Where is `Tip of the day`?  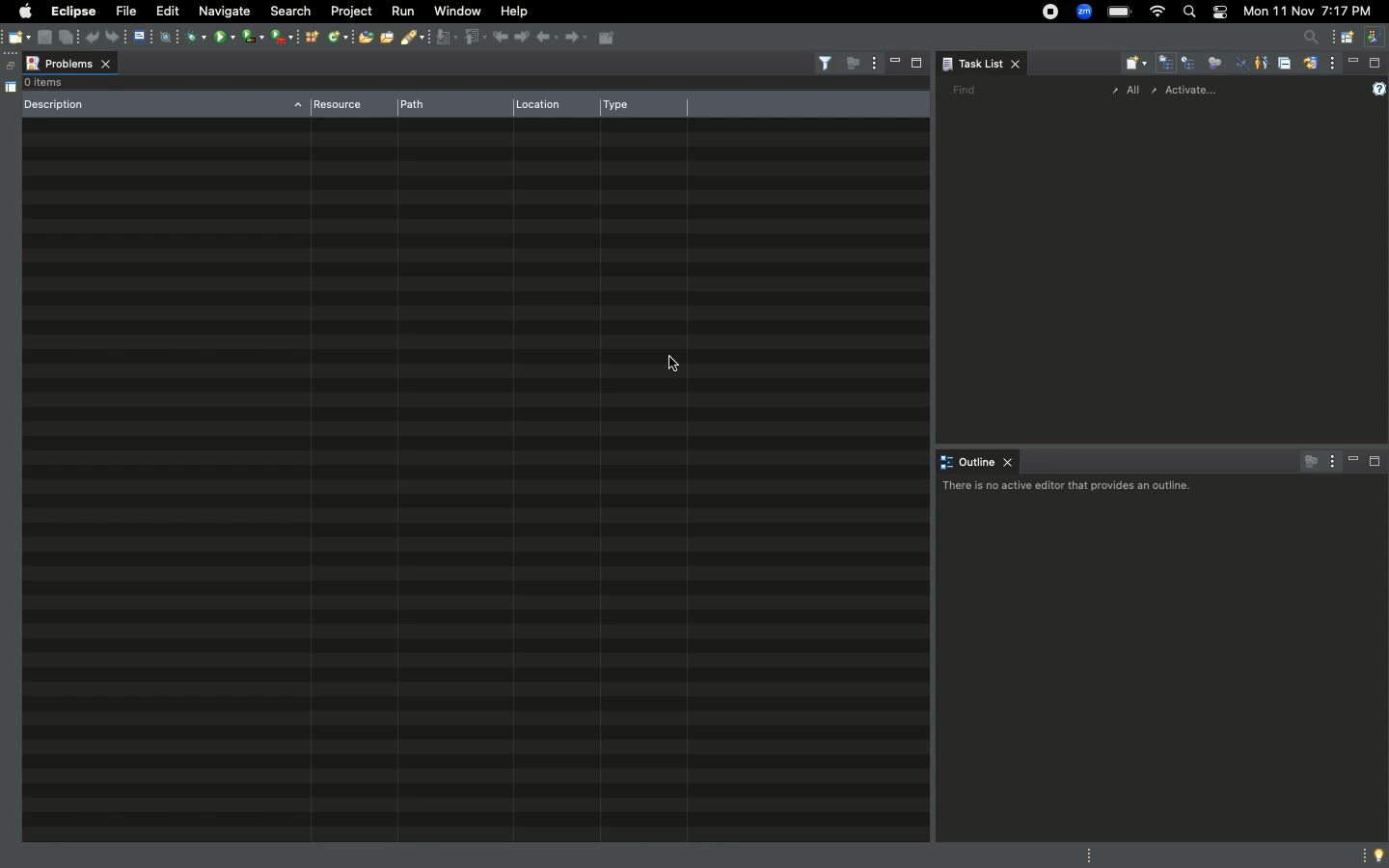
Tip of the day is located at coordinates (1380, 855).